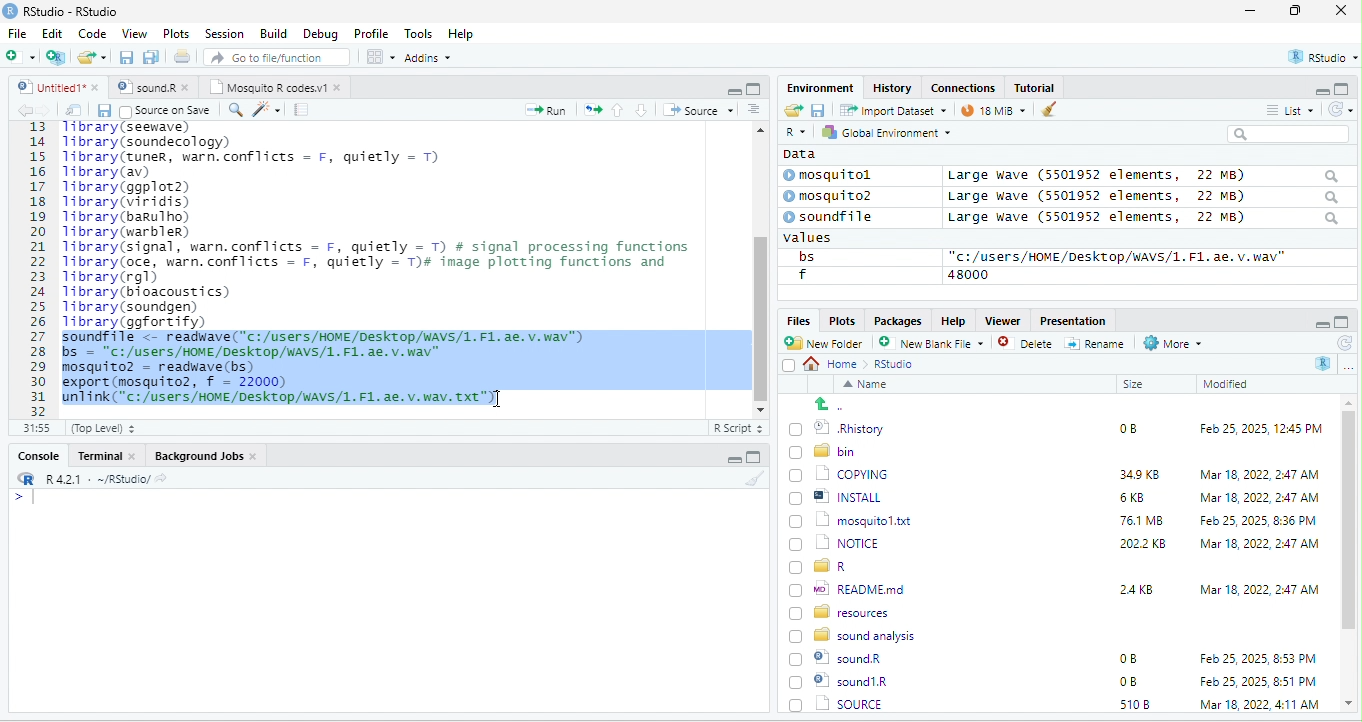  Describe the element at coordinates (1037, 87) in the screenshot. I see `Tutorial` at that location.